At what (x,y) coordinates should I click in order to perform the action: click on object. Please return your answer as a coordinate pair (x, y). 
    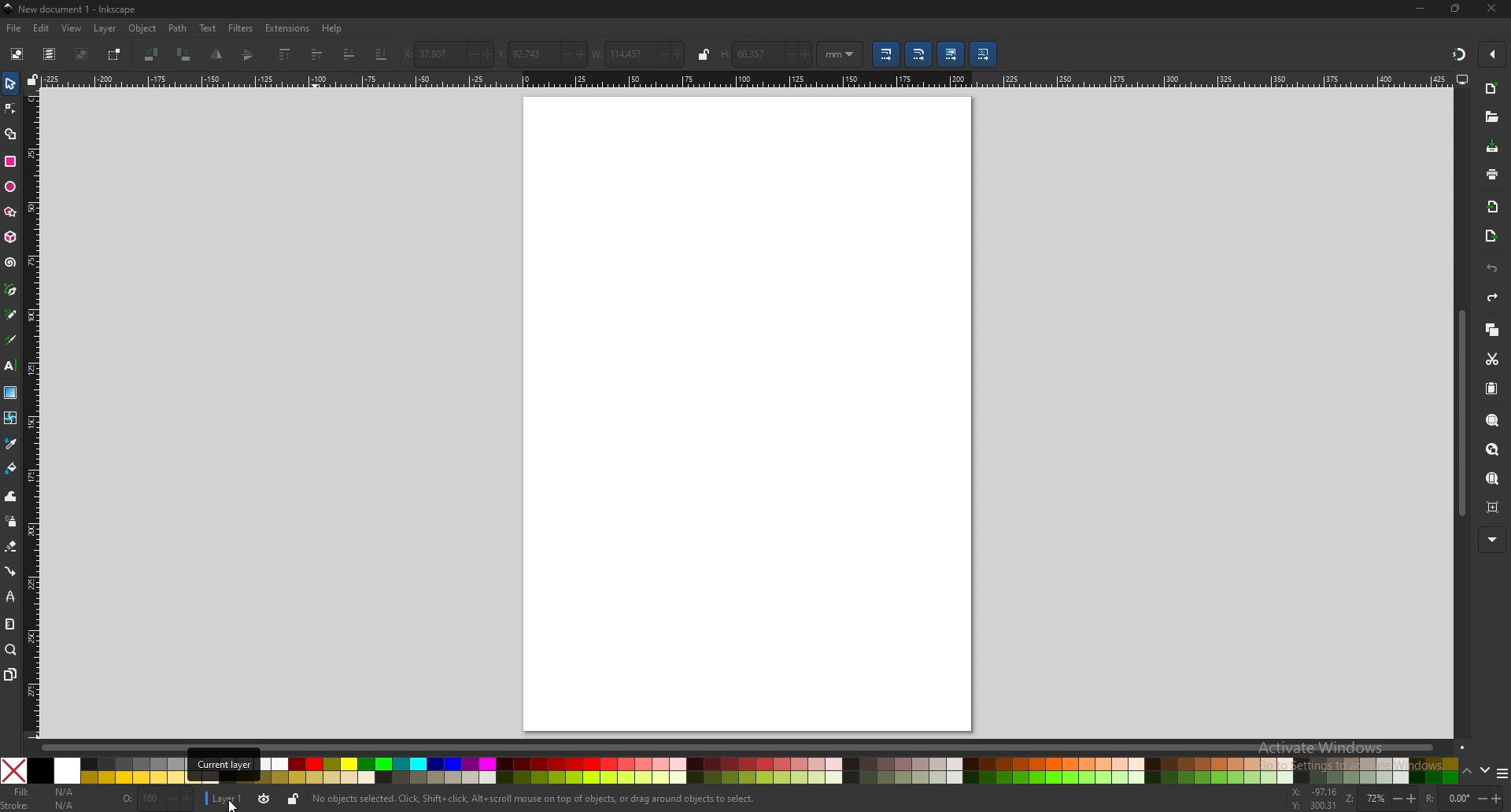
    Looking at the image, I should click on (142, 28).